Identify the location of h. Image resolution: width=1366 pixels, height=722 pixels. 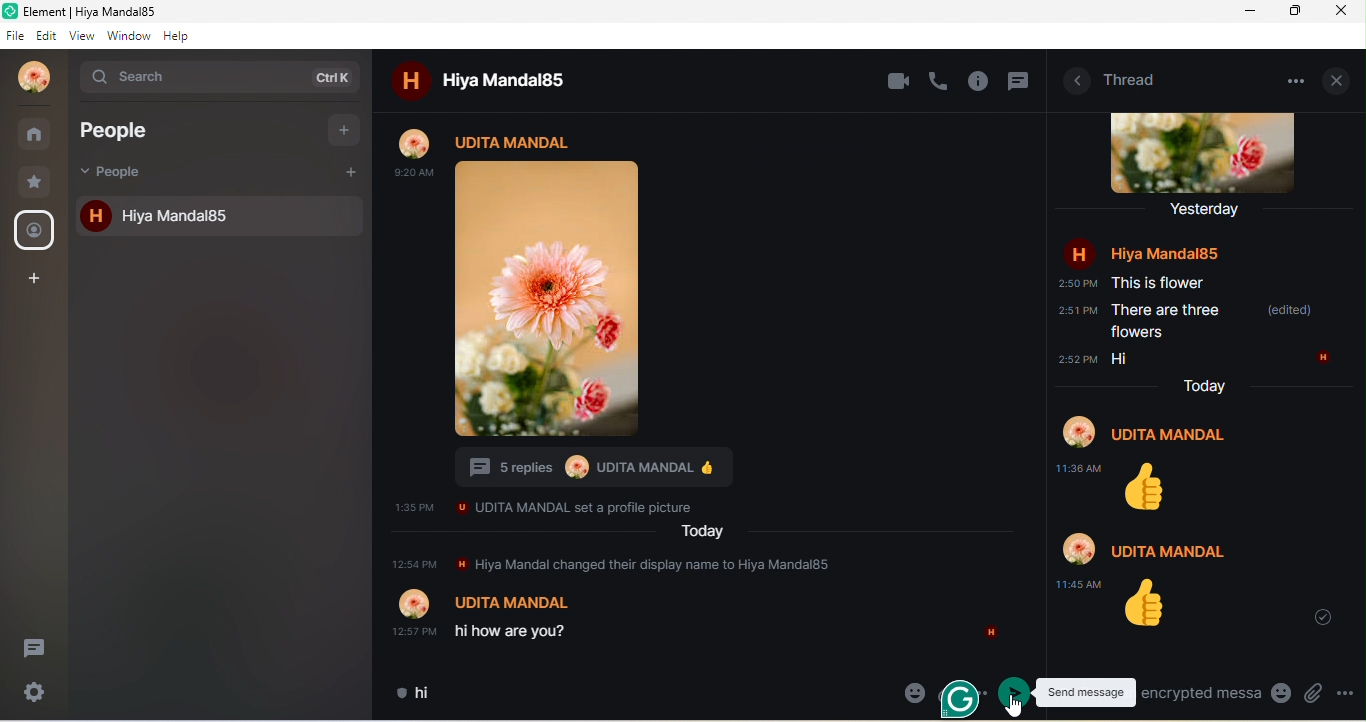
(93, 216).